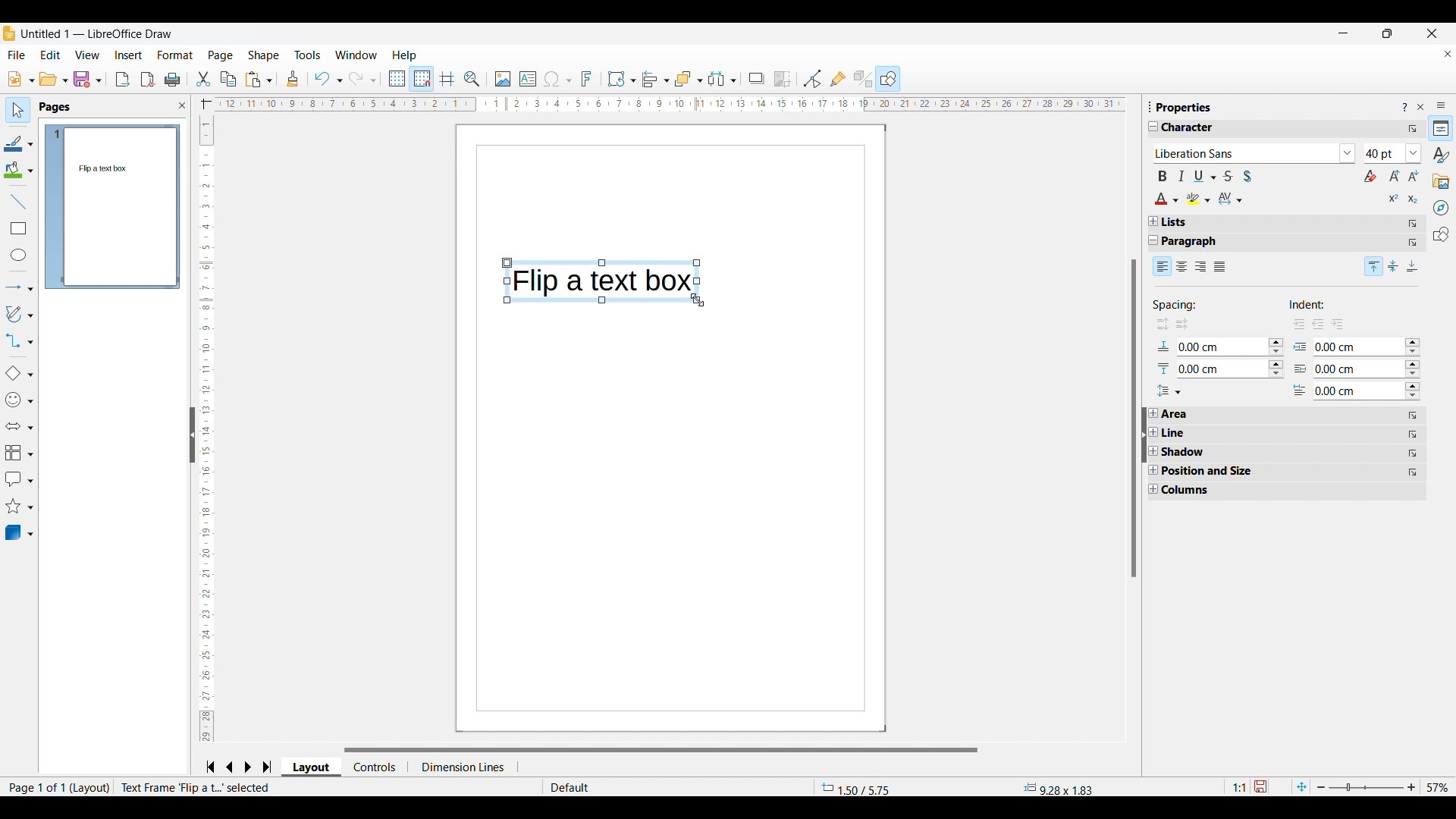 This screenshot has width=1456, height=819. I want to click on Format menu, so click(176, 55).